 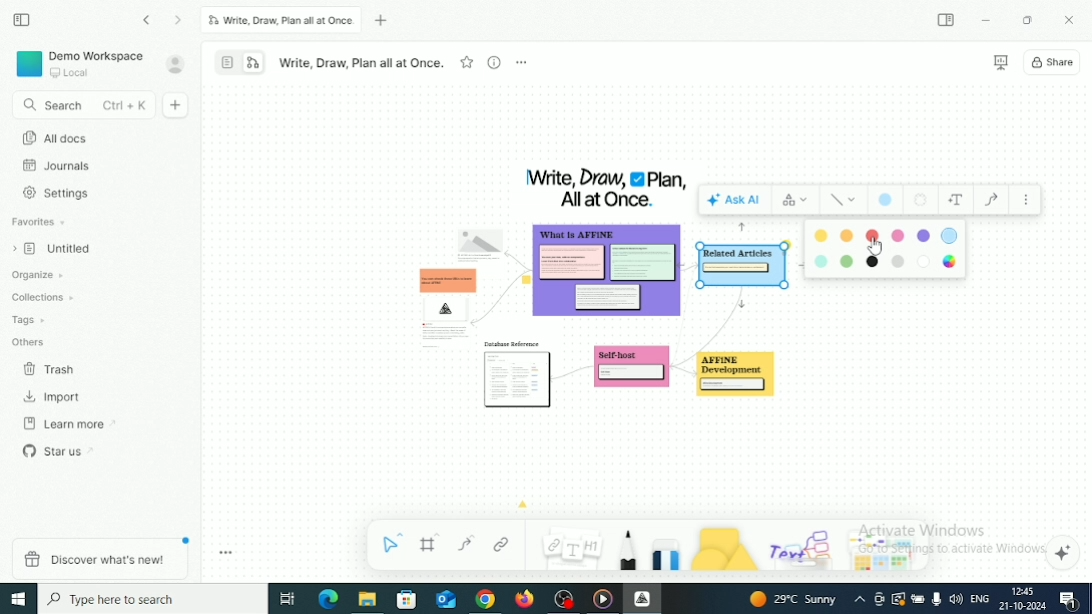 What do you see at coordinates (1021, 606) in the screenshot?
I see `Date` at bounding box center [1021, 606].